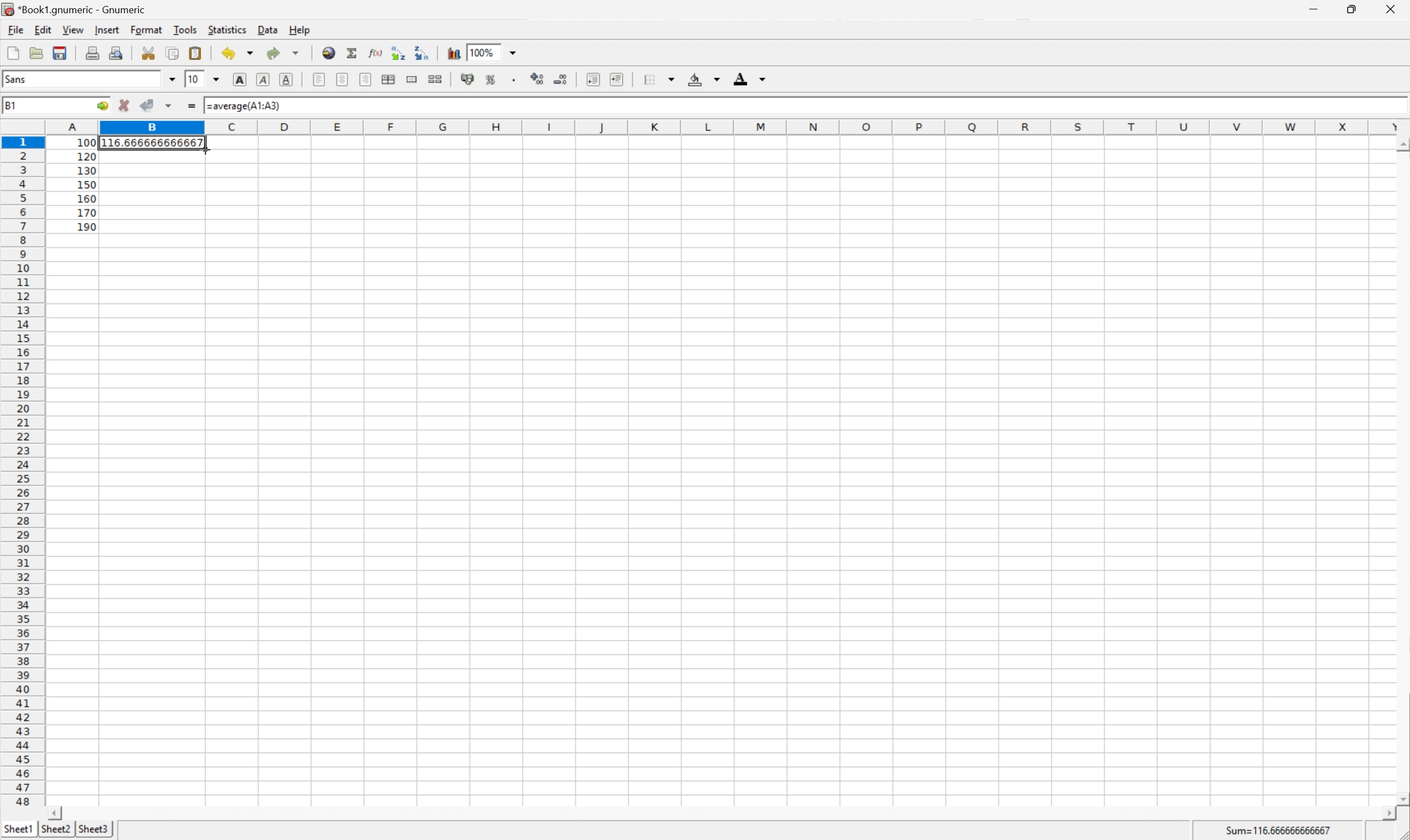 Image resolution: width=1410 pixels, height=840 pixels. I want to click on Split the ranges of merged cells, so click(435, 79).